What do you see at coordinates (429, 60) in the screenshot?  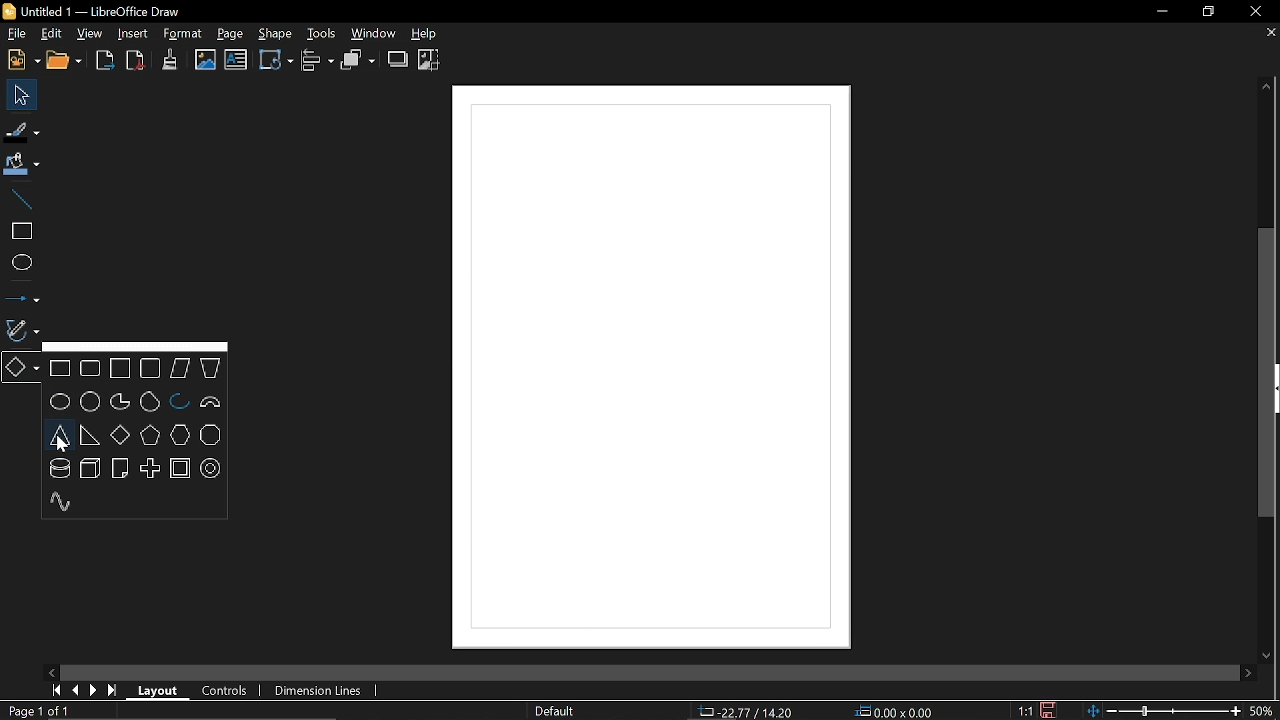 I see `Crop` at bounding box center [429, 60].